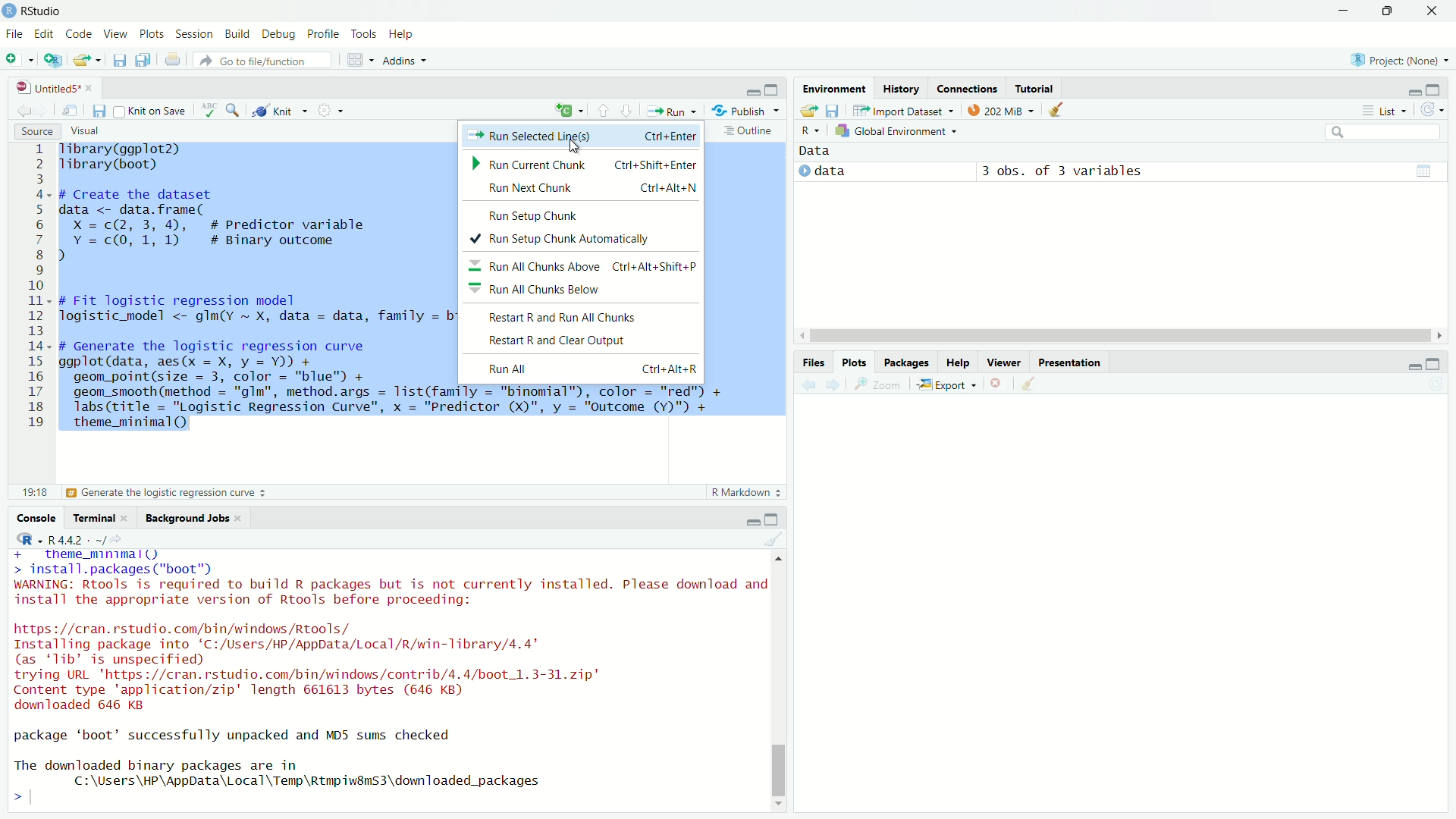 This screenshot has height=819, width=1456. I want to click on Terminal, so click(91, 517).